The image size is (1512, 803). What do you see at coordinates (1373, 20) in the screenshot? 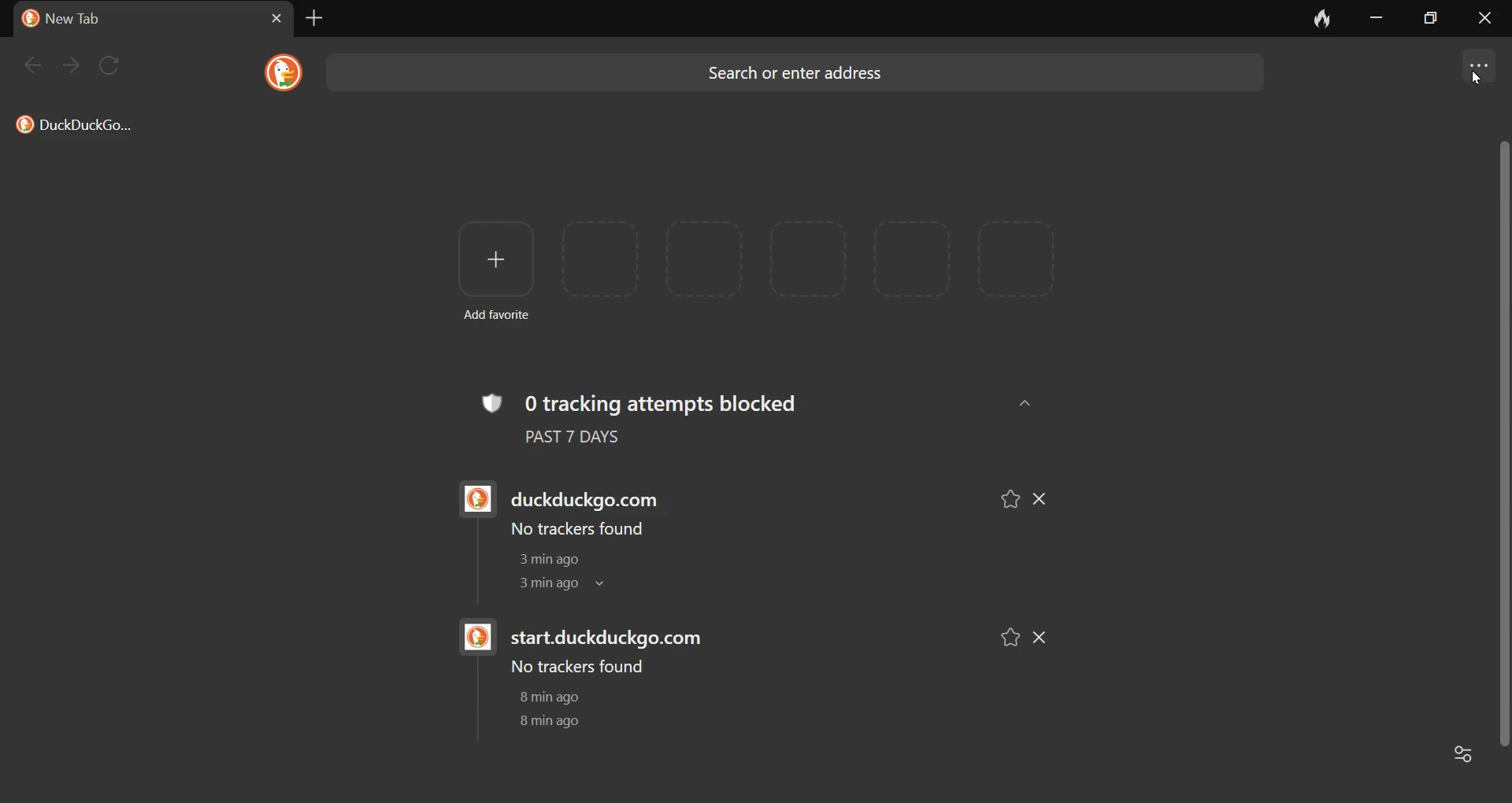
I see `minimize` at bounding box center [1373, 20].